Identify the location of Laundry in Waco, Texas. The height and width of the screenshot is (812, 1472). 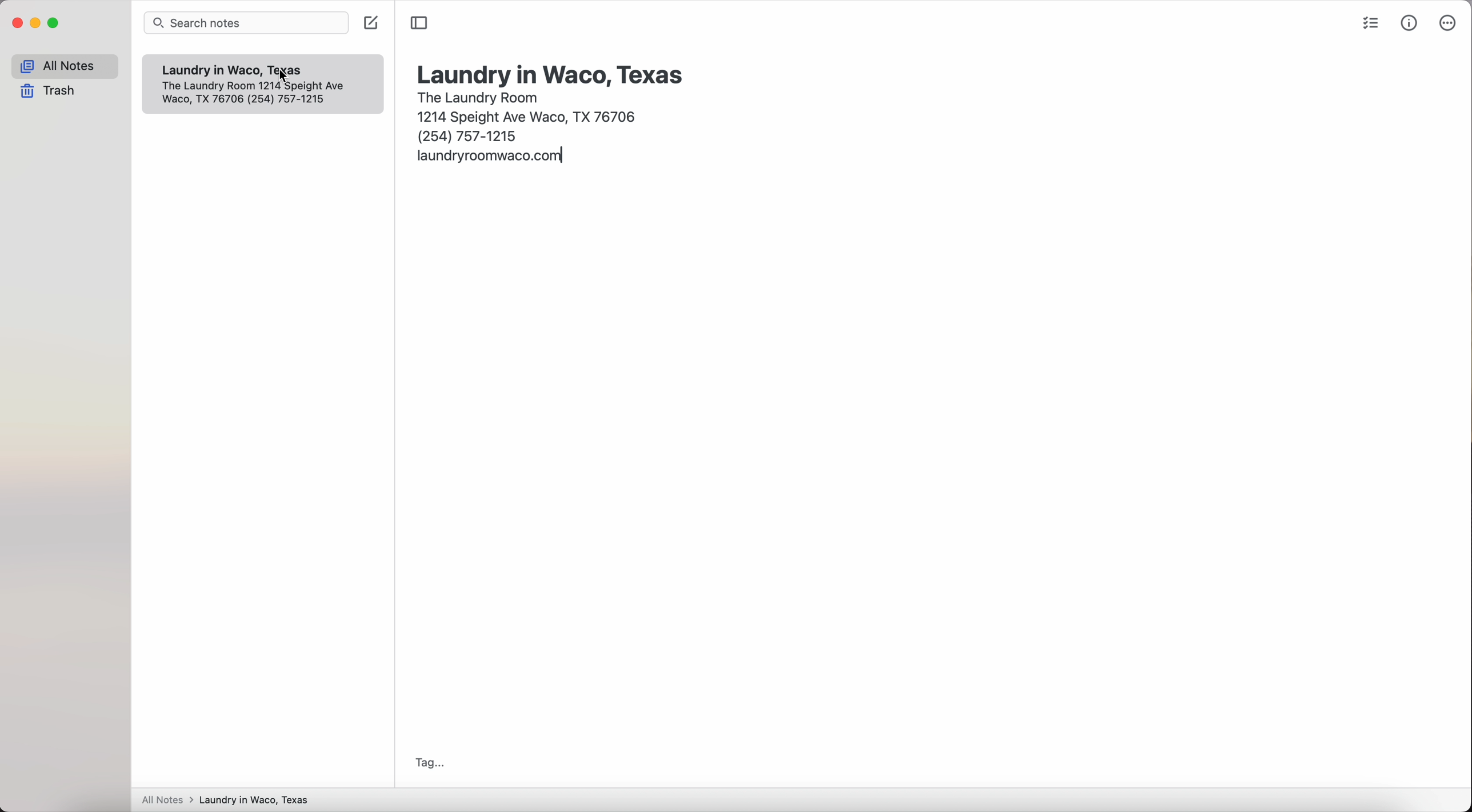
(214, 70).